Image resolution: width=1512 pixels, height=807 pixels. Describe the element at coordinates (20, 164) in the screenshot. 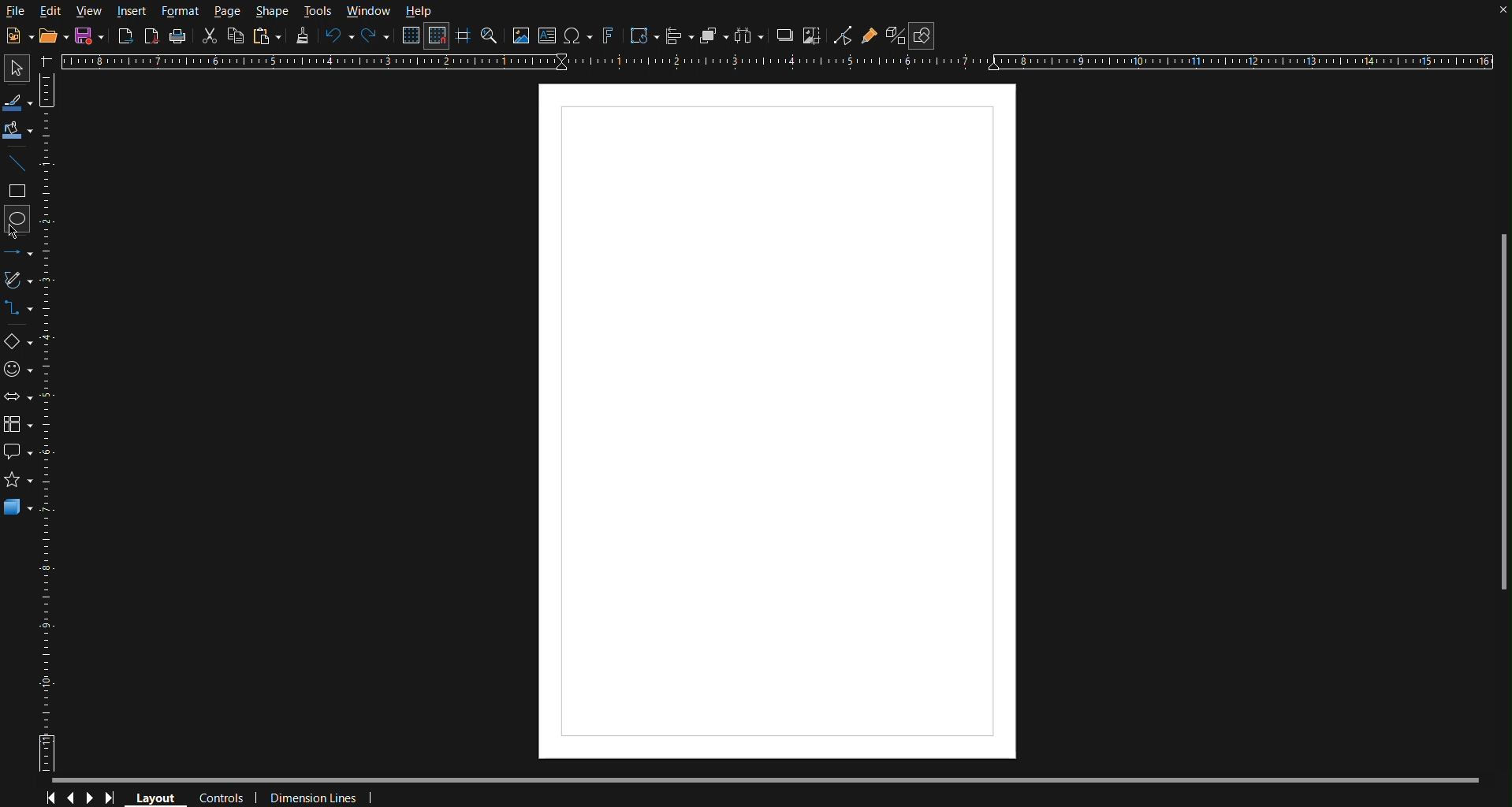

I see `Line` at that location.